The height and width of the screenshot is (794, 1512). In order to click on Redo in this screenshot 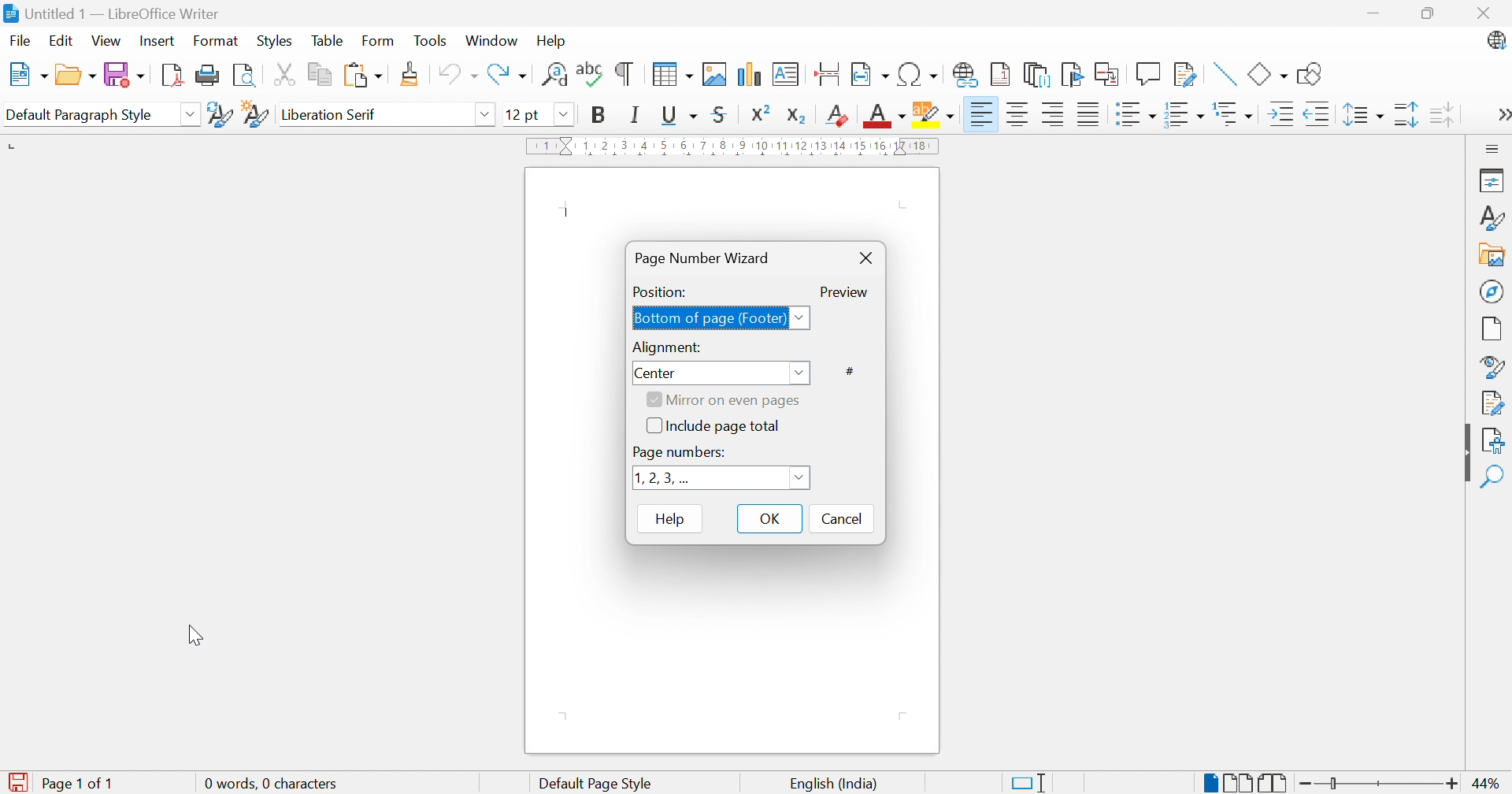, I will do `click(508, 76)`.